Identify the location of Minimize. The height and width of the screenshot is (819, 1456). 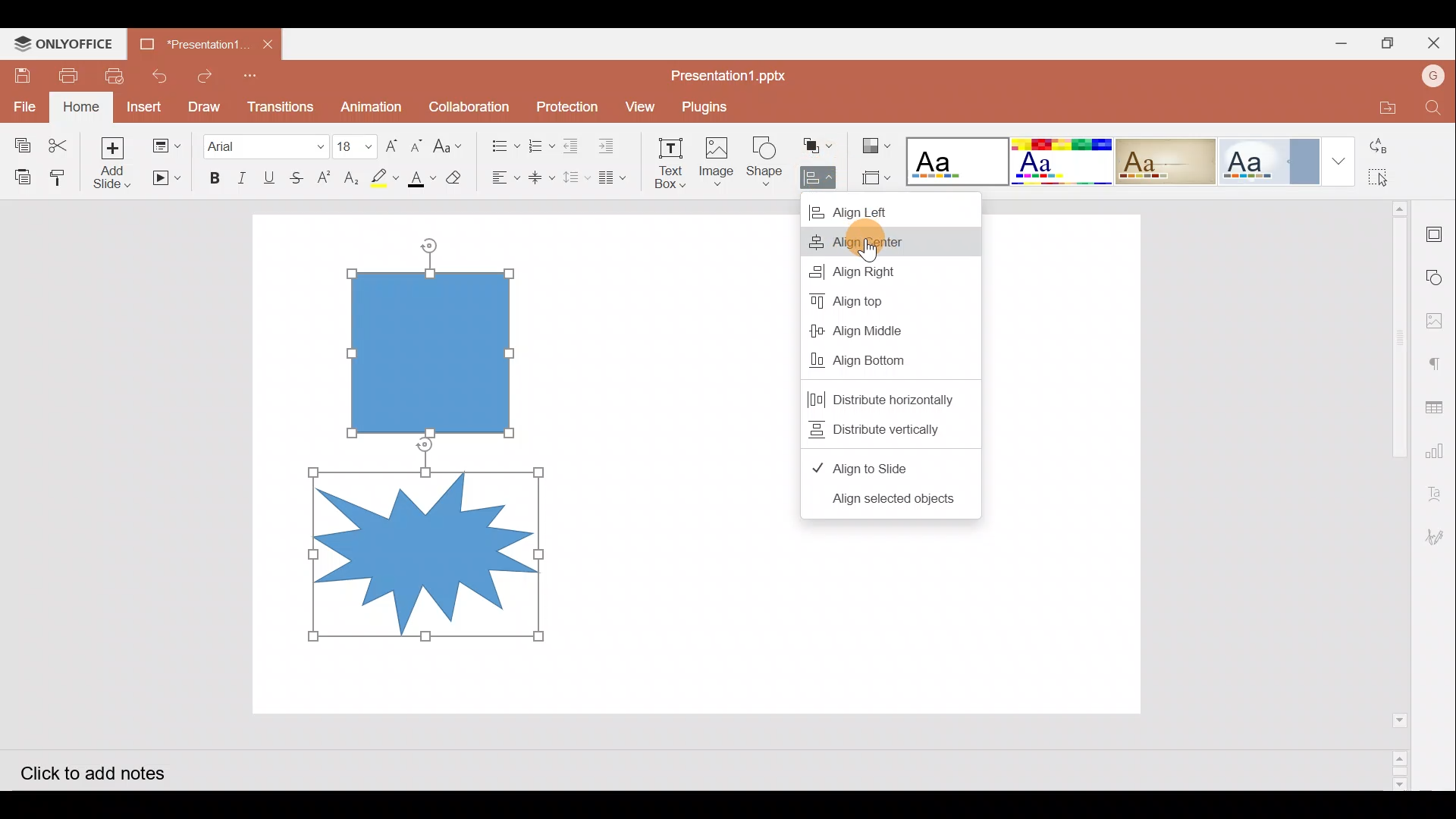
(1338, 42).